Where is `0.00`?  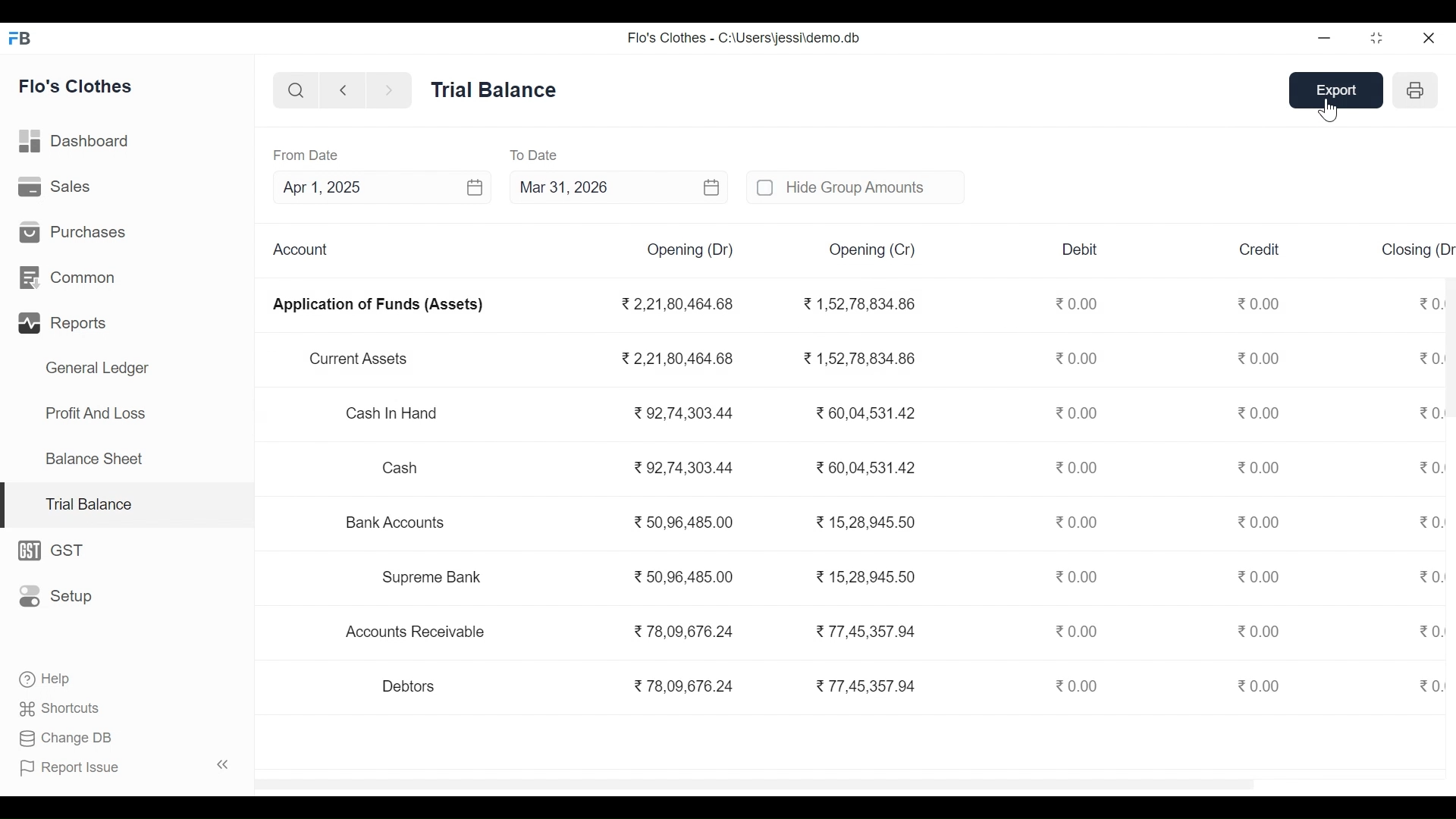 0.00 is located at coordinates (1431, 630).